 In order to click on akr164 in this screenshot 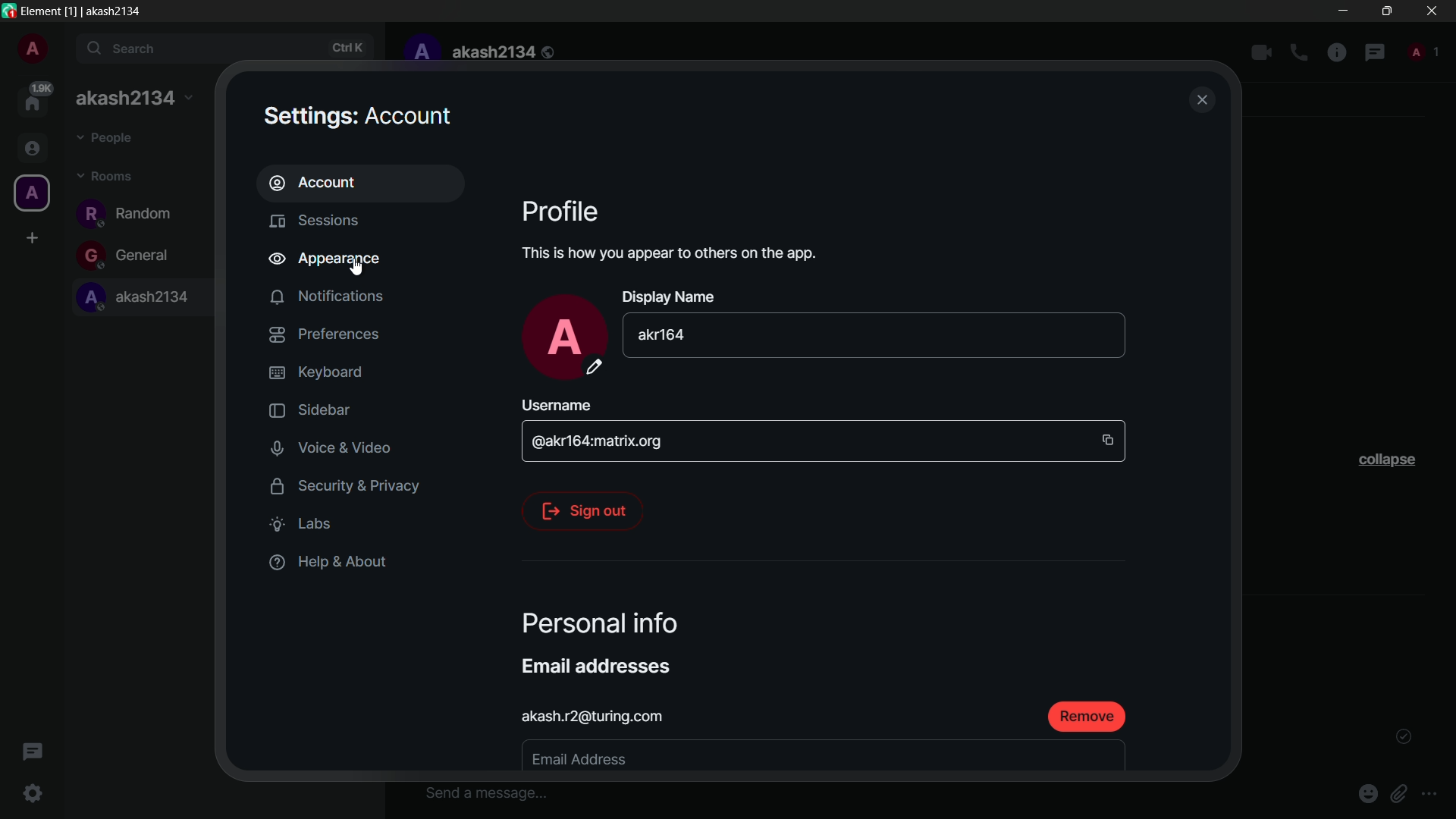, I will do `click(679, 334)`.